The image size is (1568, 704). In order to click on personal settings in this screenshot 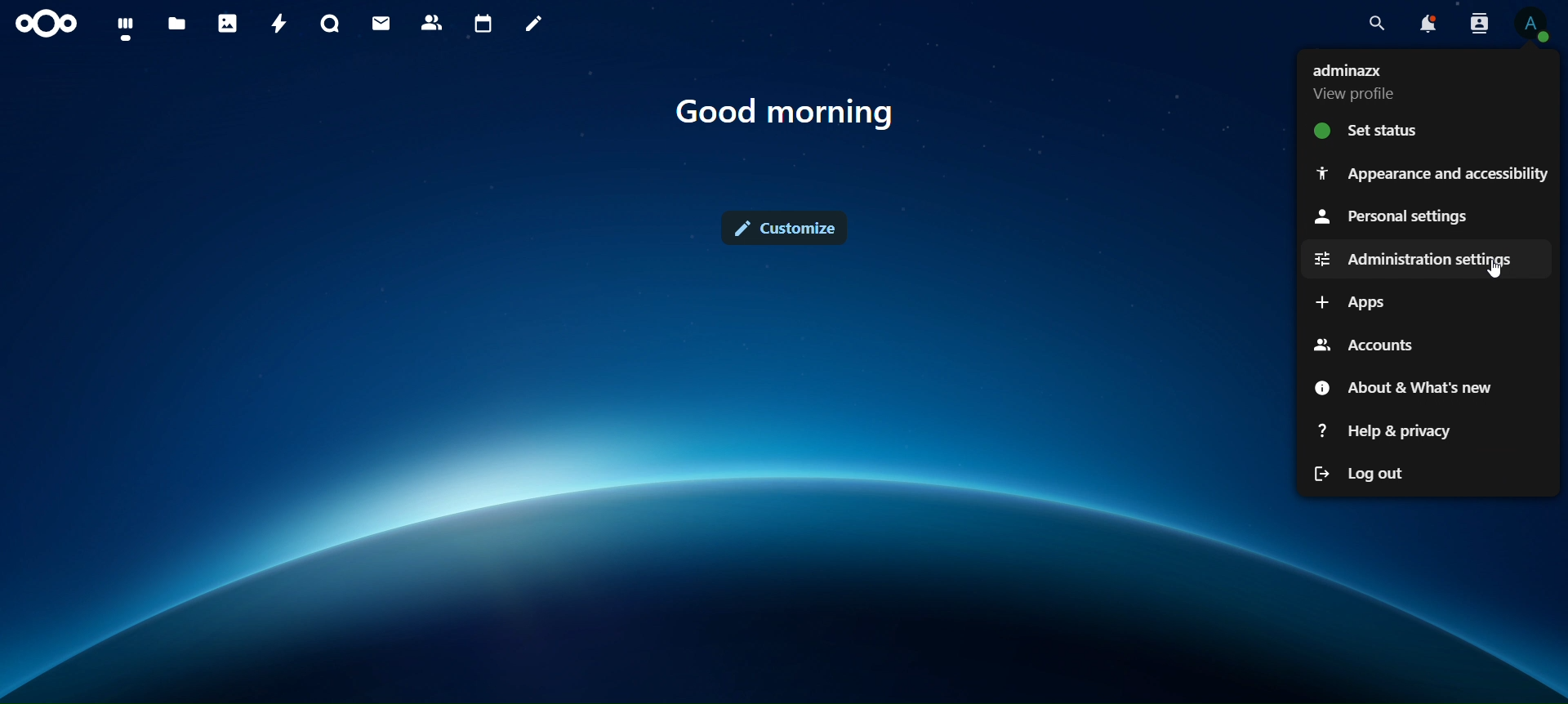, I will do `click(1394, 219)`.